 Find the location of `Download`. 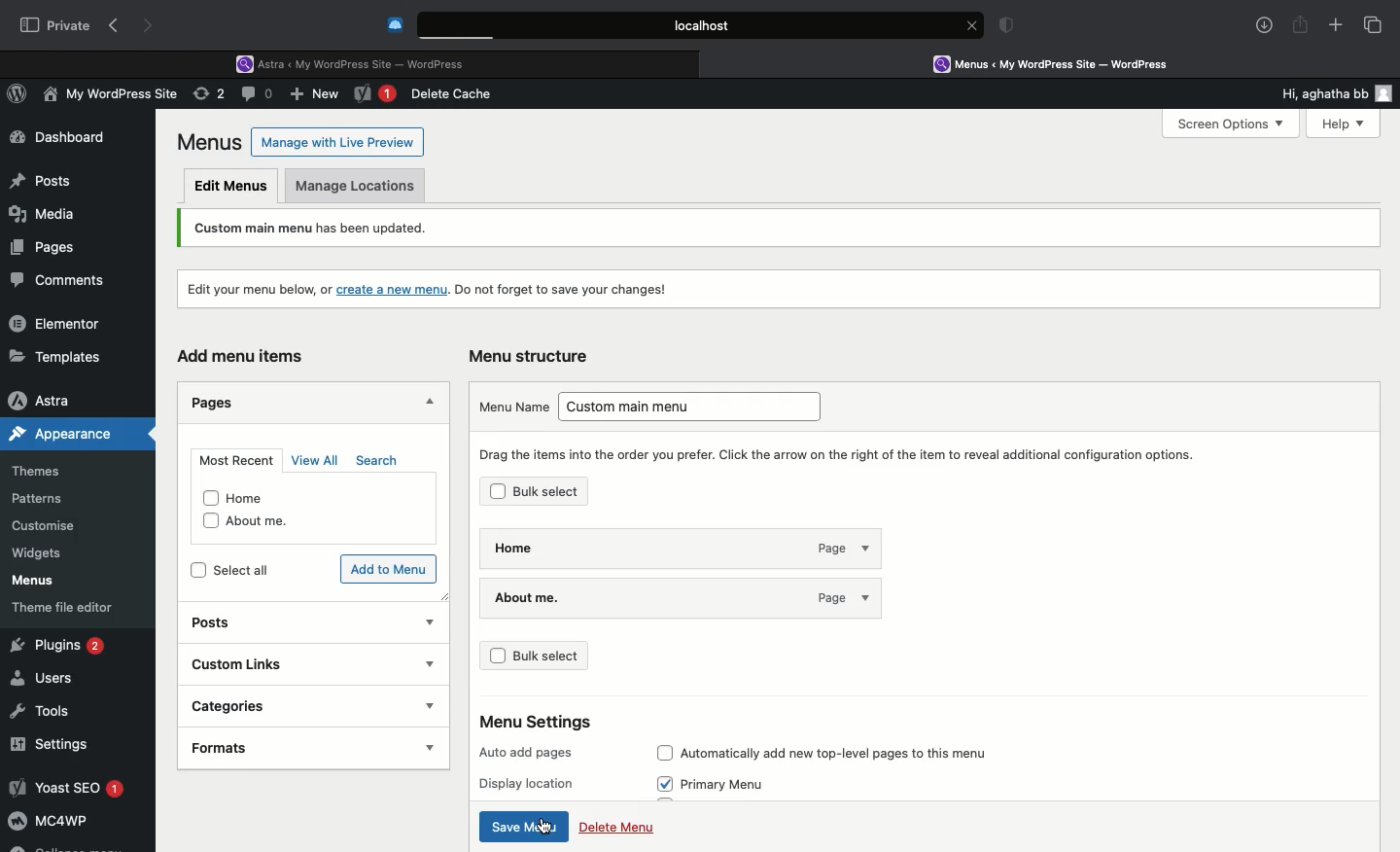

Download is located at coordinates (1265, 25).